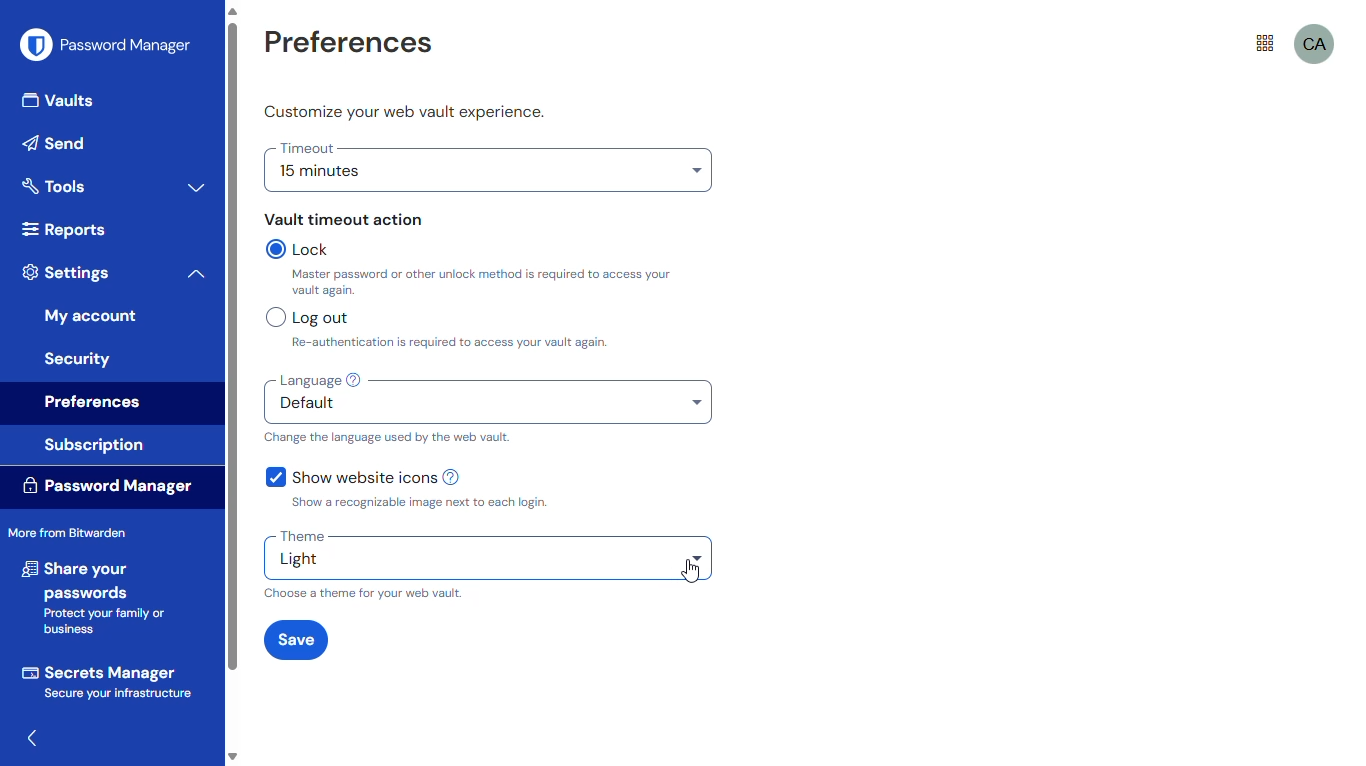 This screenshot has height=766, width=1366. What do you see at coordinates (350, 476) in the screenshot?
I see `show website icons` at bounding box center [350, 476].